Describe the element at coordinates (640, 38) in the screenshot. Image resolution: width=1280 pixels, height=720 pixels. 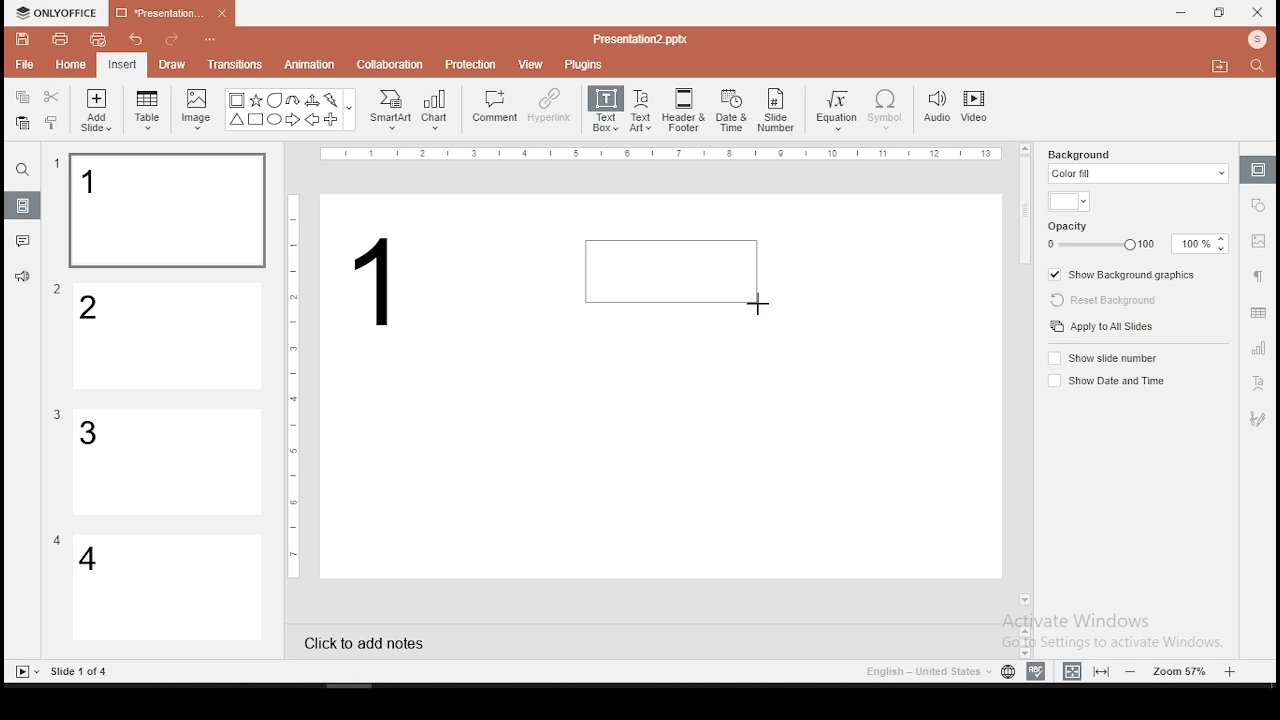
I see `` at that location.